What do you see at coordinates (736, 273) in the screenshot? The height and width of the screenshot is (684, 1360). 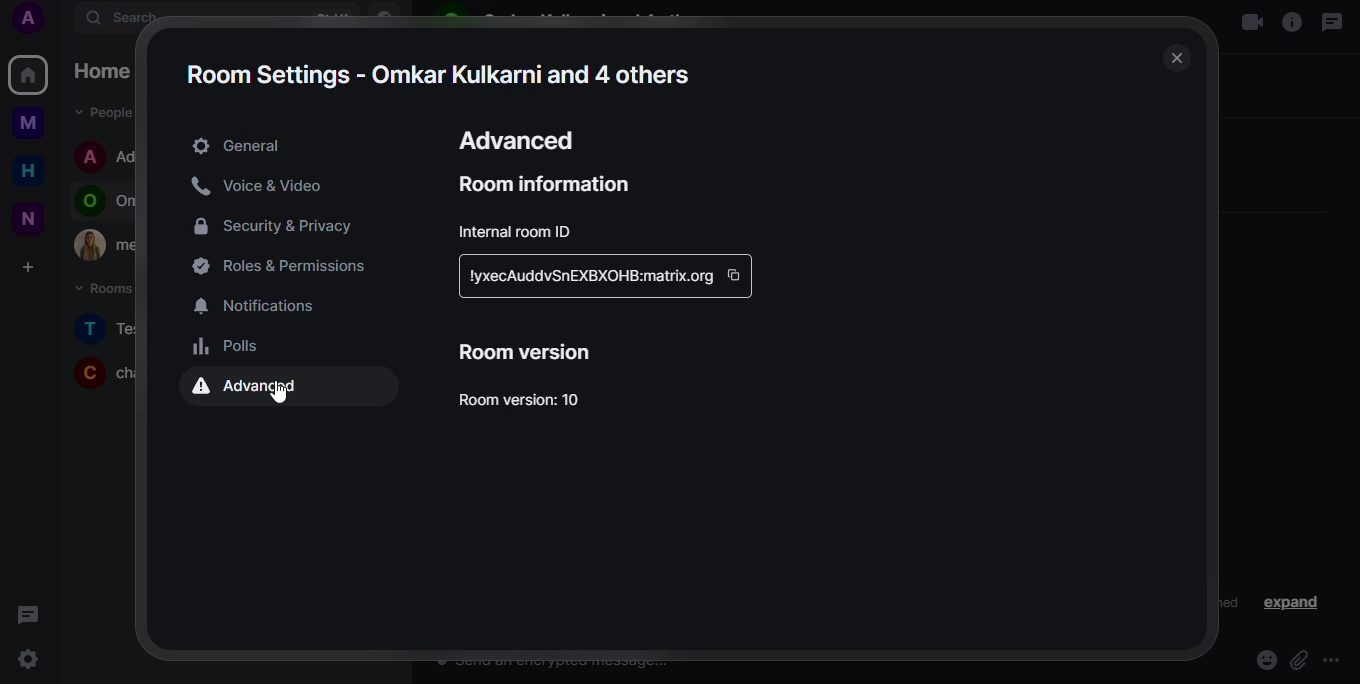 I see `click to copy` at bounding box center [736, 273].